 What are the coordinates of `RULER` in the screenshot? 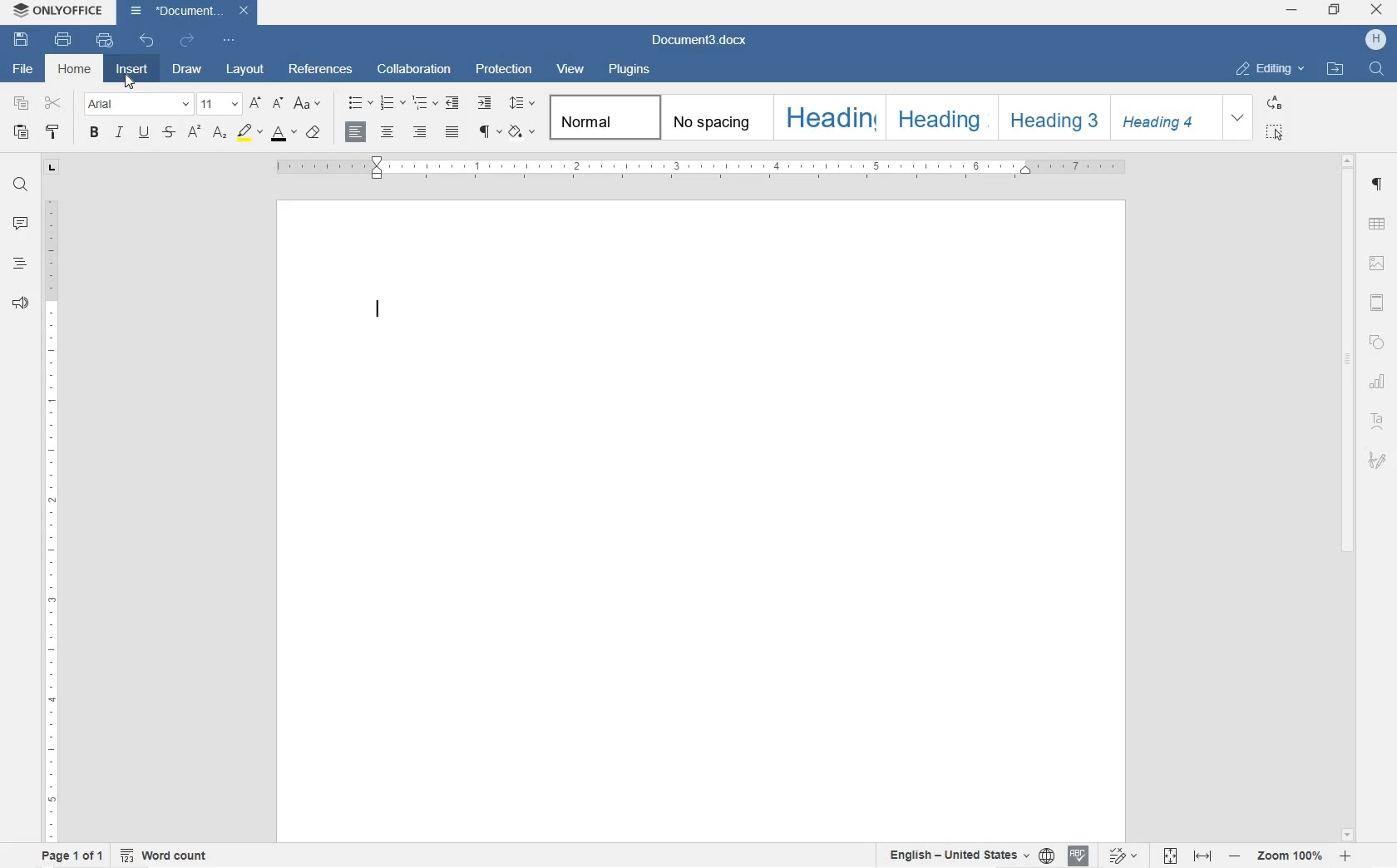 It's located at (49, 516).